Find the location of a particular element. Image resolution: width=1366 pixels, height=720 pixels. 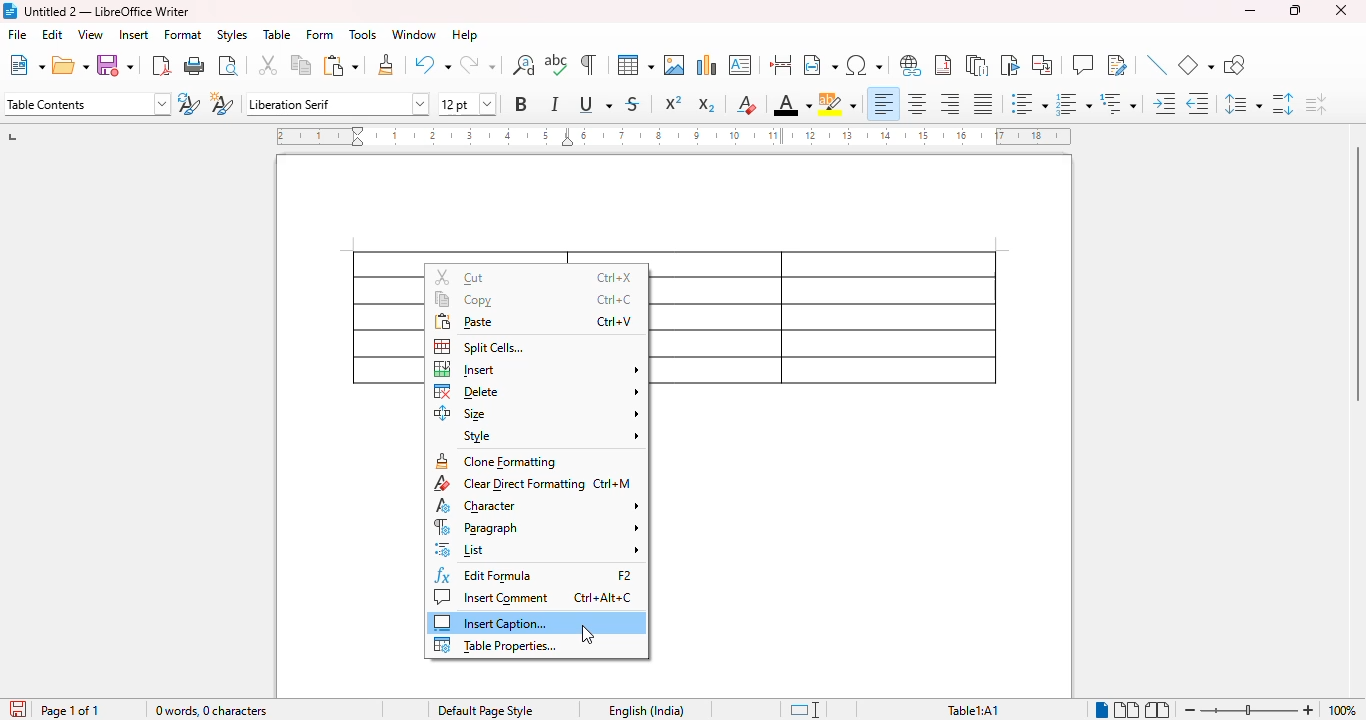

table is located at coordinates (277, 34).